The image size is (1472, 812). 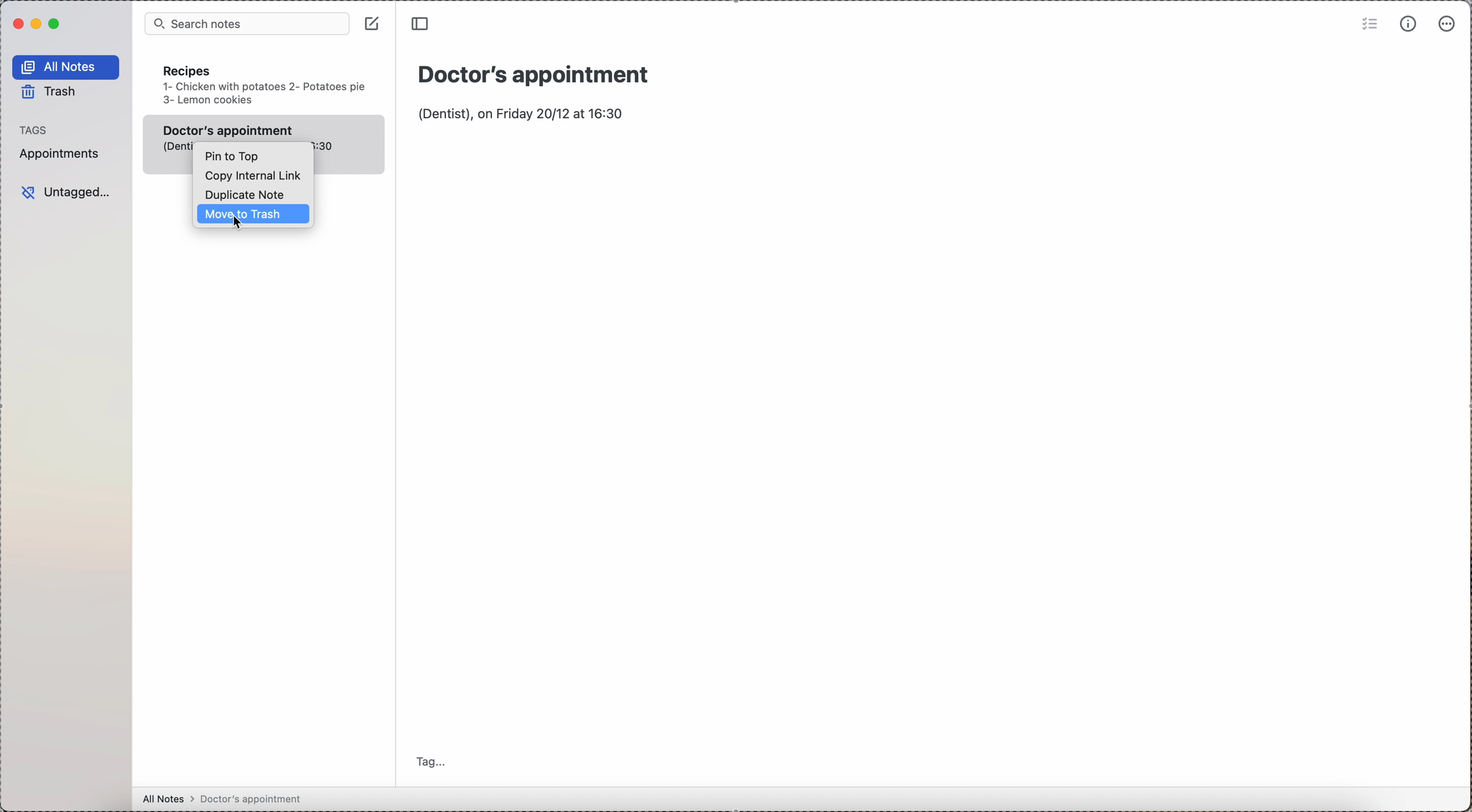 I want to click on duplicate note, so click(x=249, y=195).